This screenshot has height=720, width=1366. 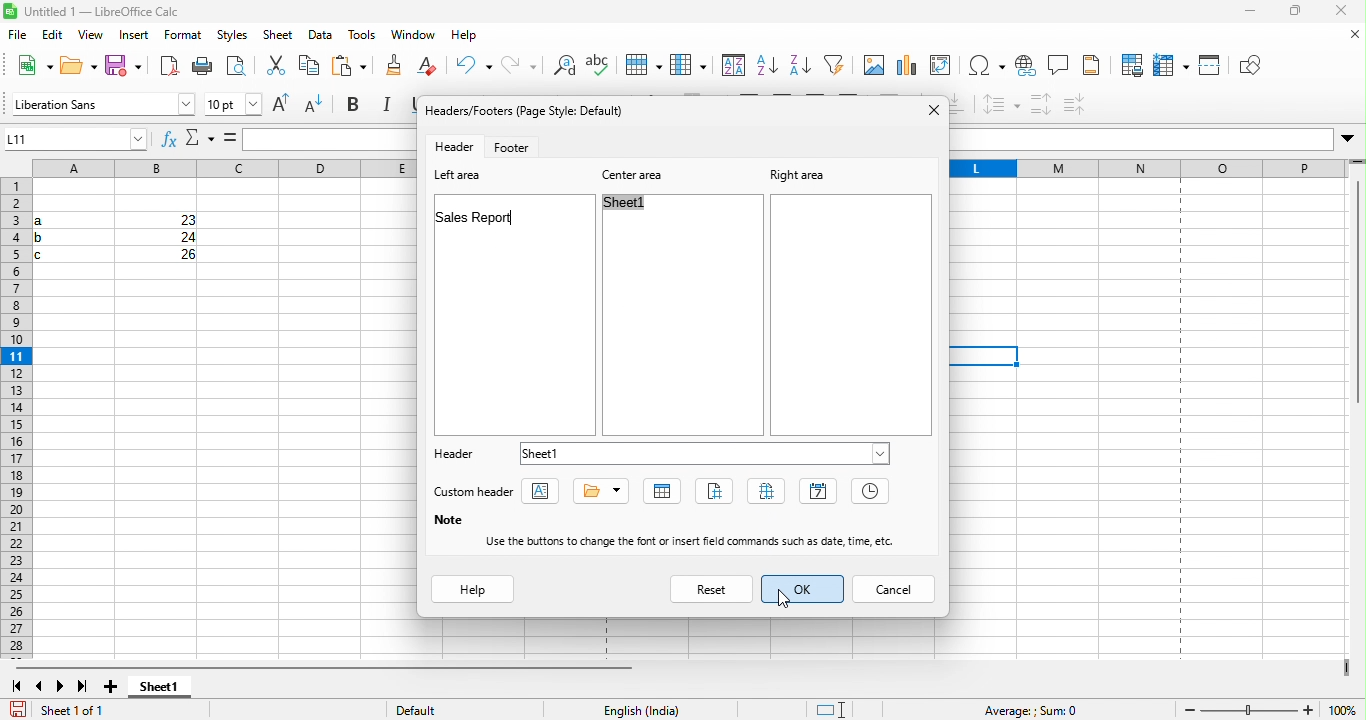 What do you see at coordinates (467, 177) in the screenshot?
I see `left area` at bounding box center [467, 177].